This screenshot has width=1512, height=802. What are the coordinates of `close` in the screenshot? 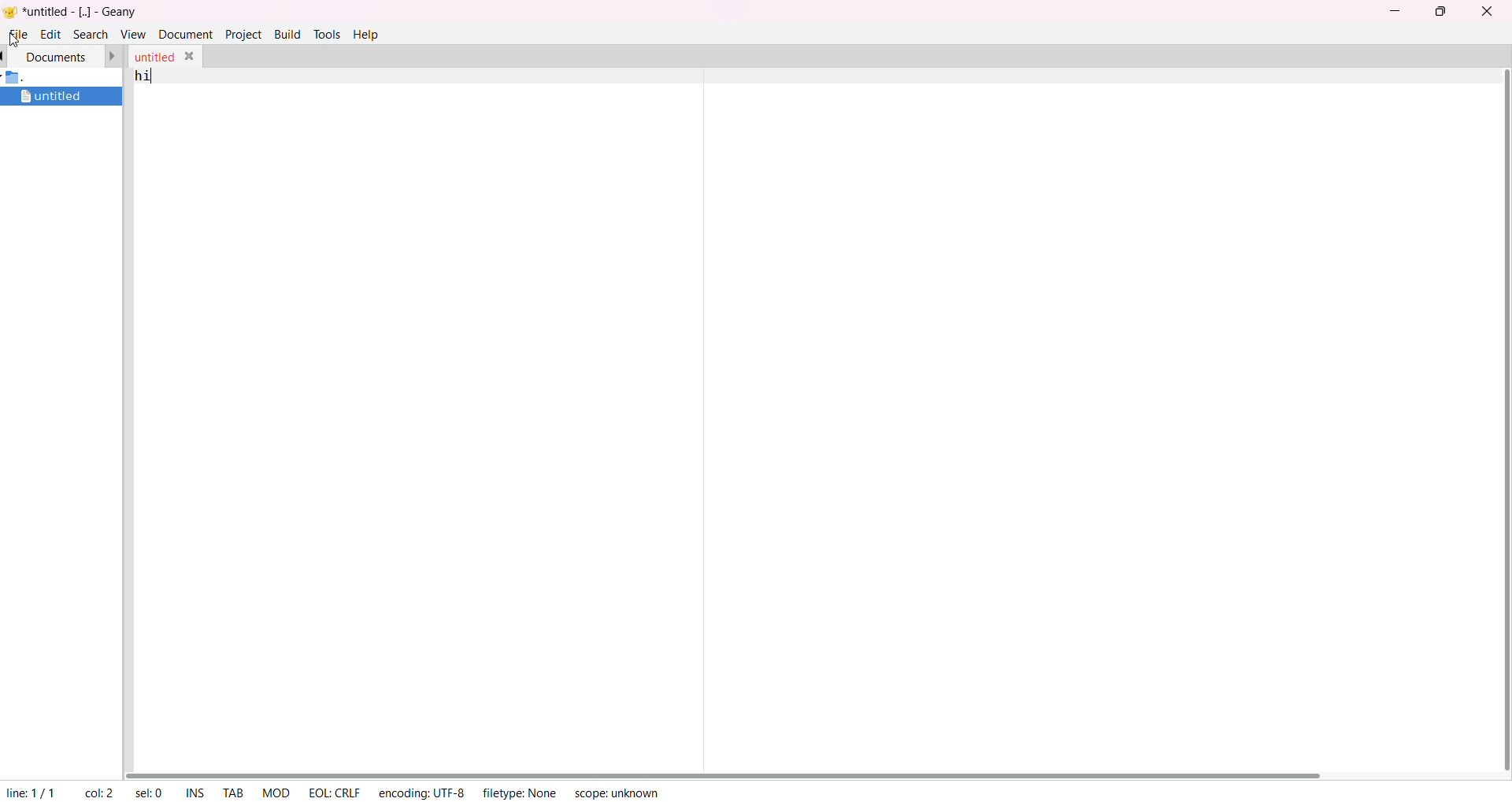 It's located at (192, 55).